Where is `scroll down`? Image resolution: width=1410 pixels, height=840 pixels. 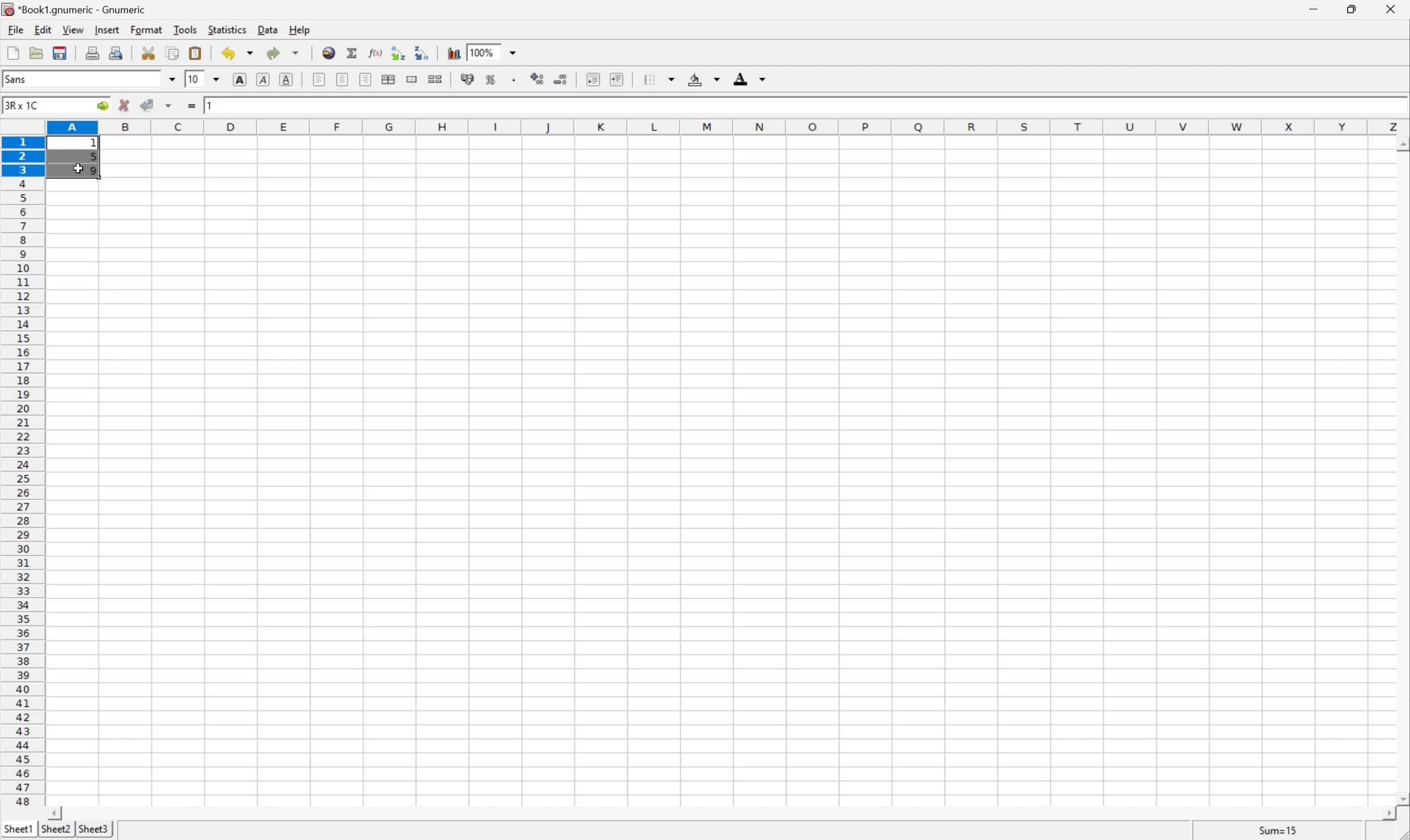 scroll down is located at coordinates (1401, 798).